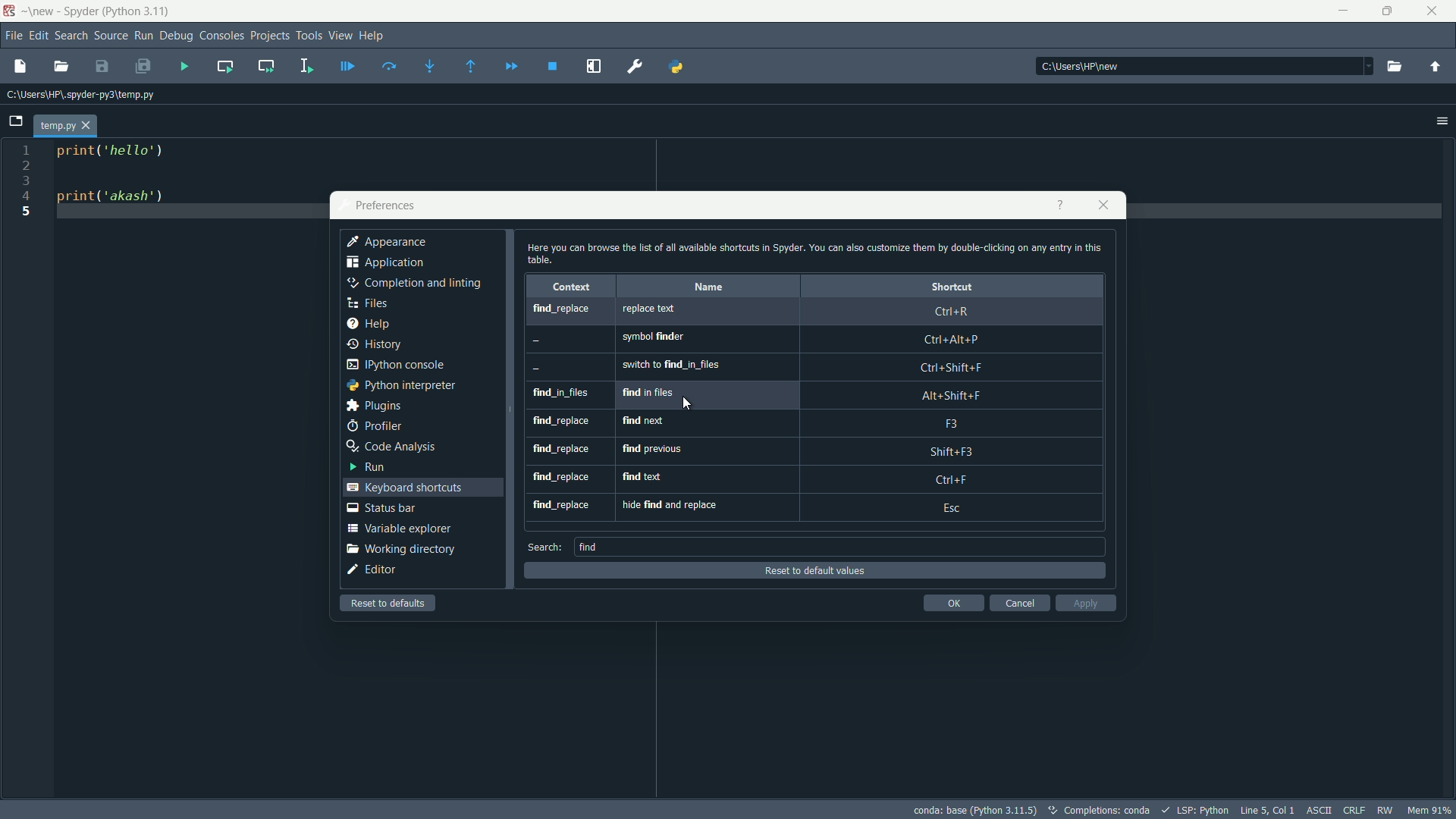 This screenshot has height=819, width=1456. I want to click on python path manger, so click(677, 70).